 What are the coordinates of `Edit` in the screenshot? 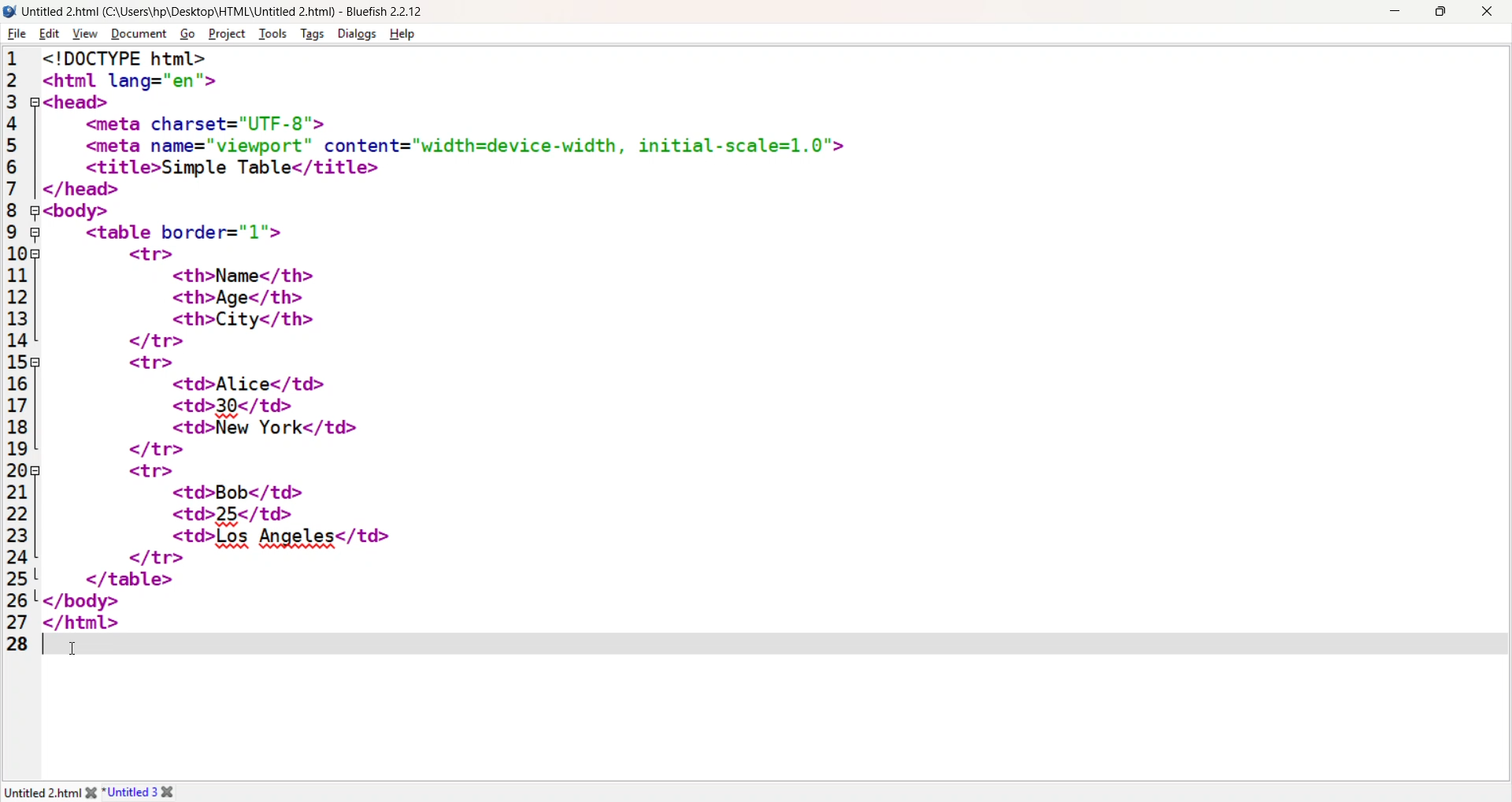 It's located at (46, 34).